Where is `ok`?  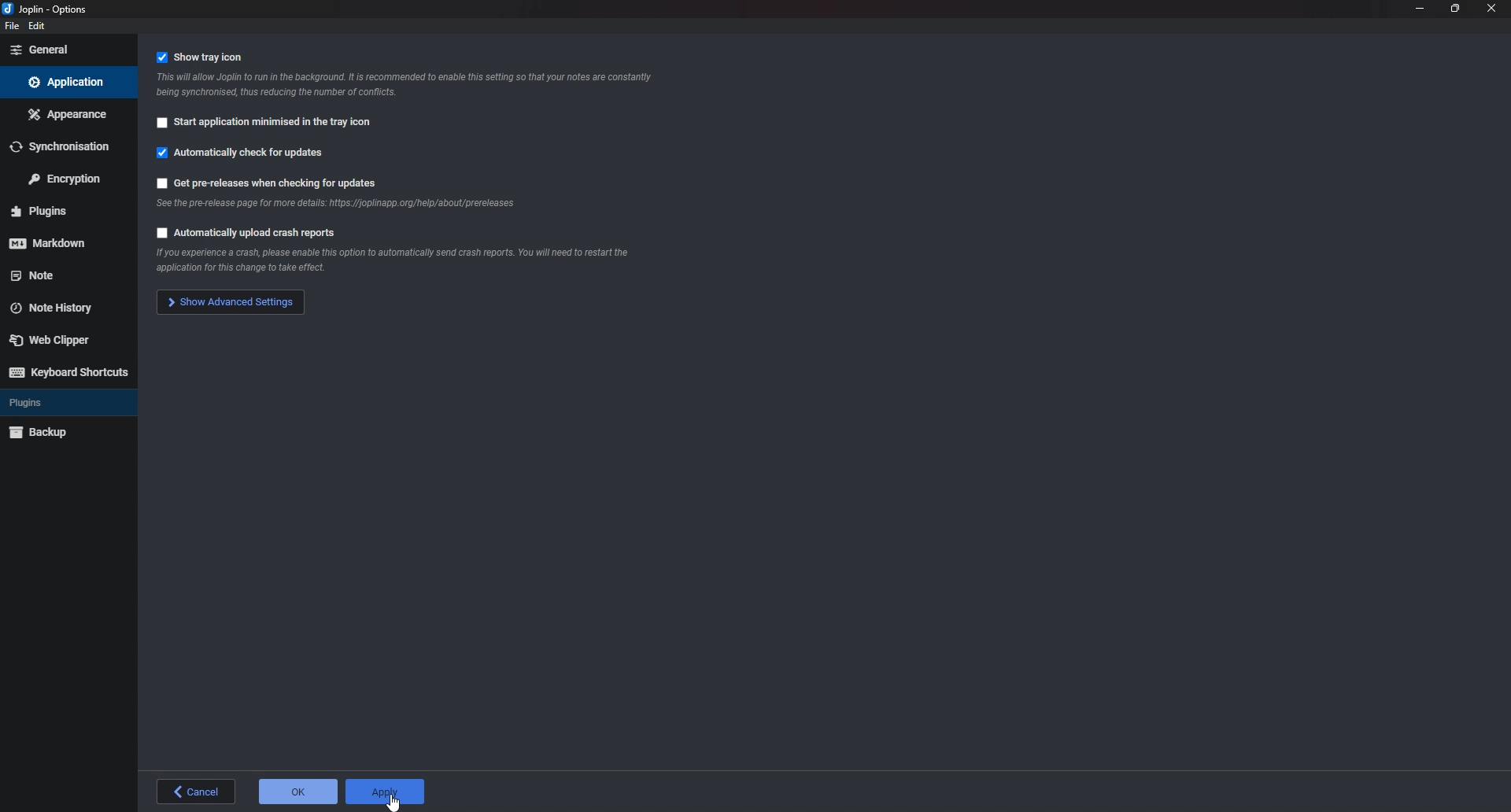 ok is located at coordinates (298, 792).